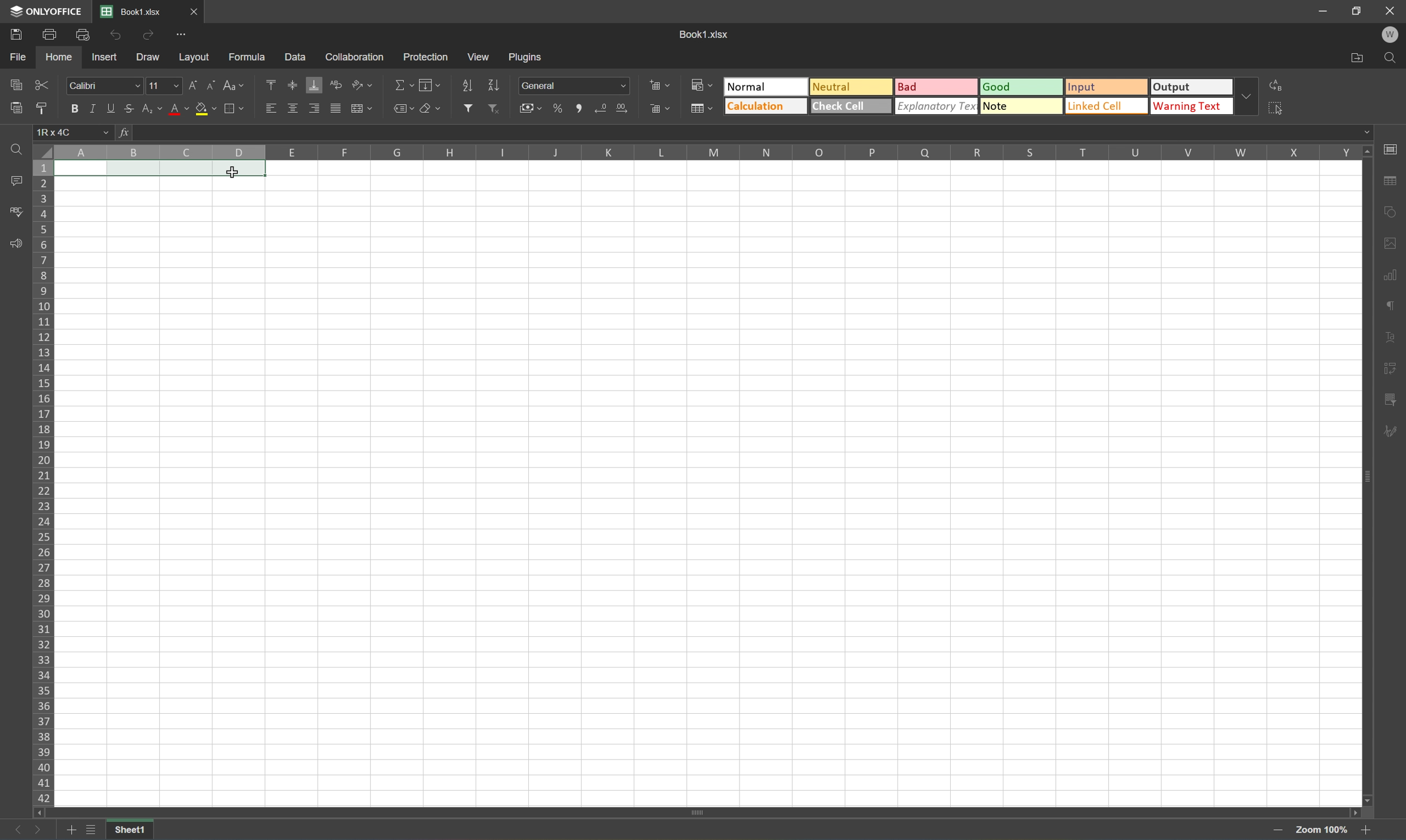  What do you see at coordinates (127, 134) in the screenshot?
I see `fx` at bounding box center [127, 134].